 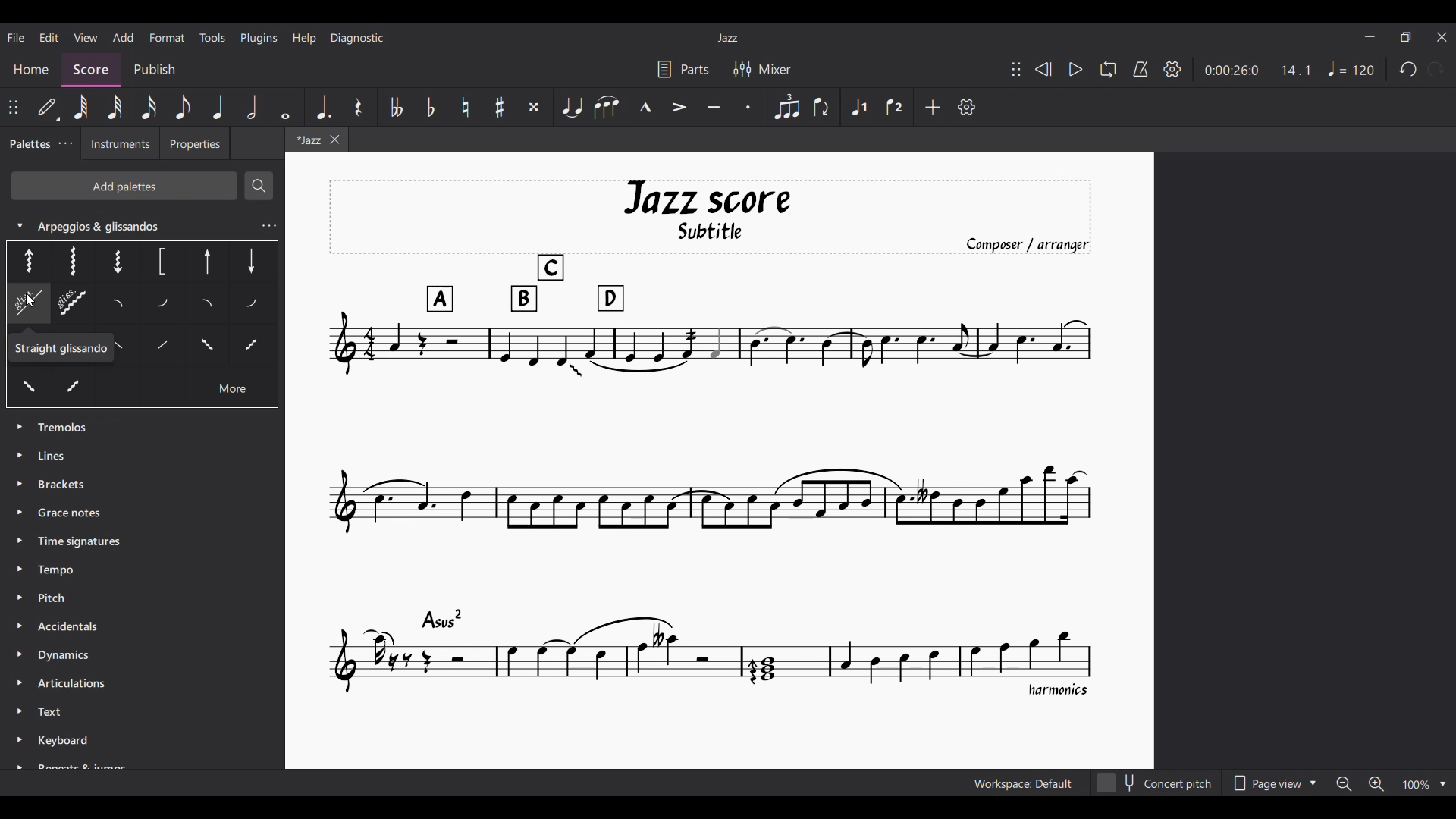 What do you see at coordinates (115, 107) in the screenshot?
I see `32nd note` at bounding box center [115, 107].